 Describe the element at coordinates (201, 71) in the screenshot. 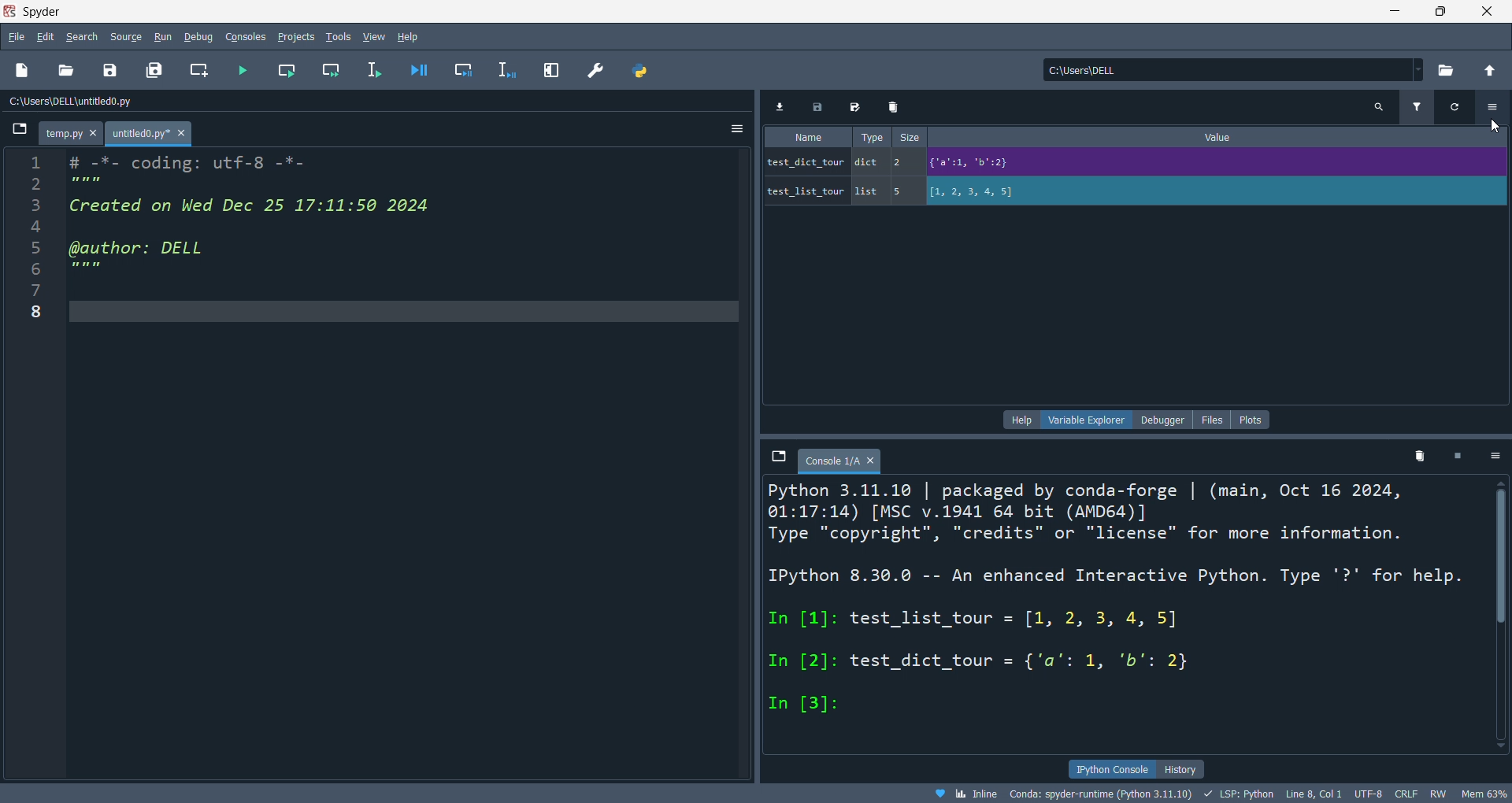

I see `new cell` at that location.